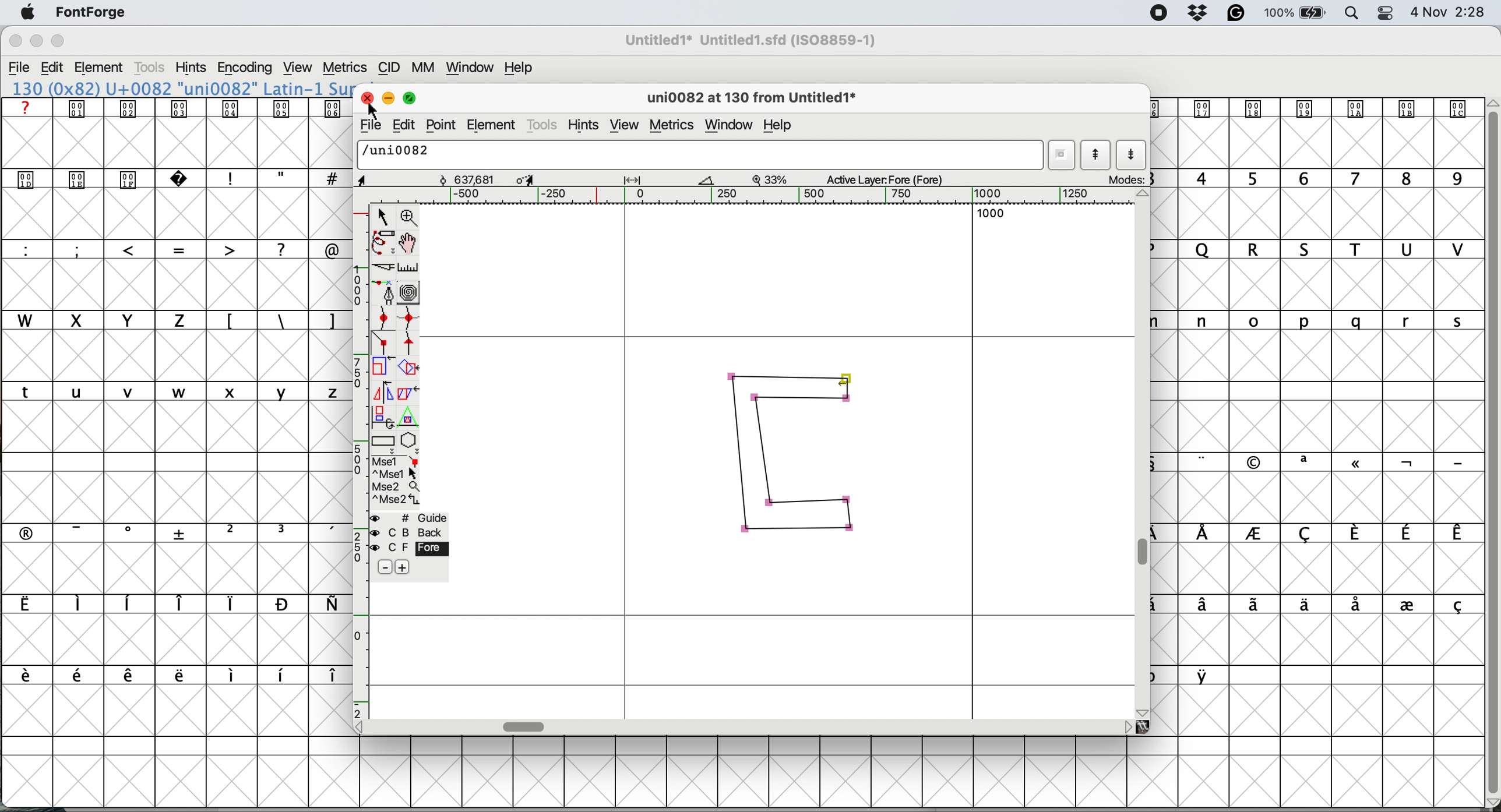 The image size is (1501, 812). Describe the element at coordinates (1491, 448) in the screenshot. I see `vertical scroll bar` at that location.